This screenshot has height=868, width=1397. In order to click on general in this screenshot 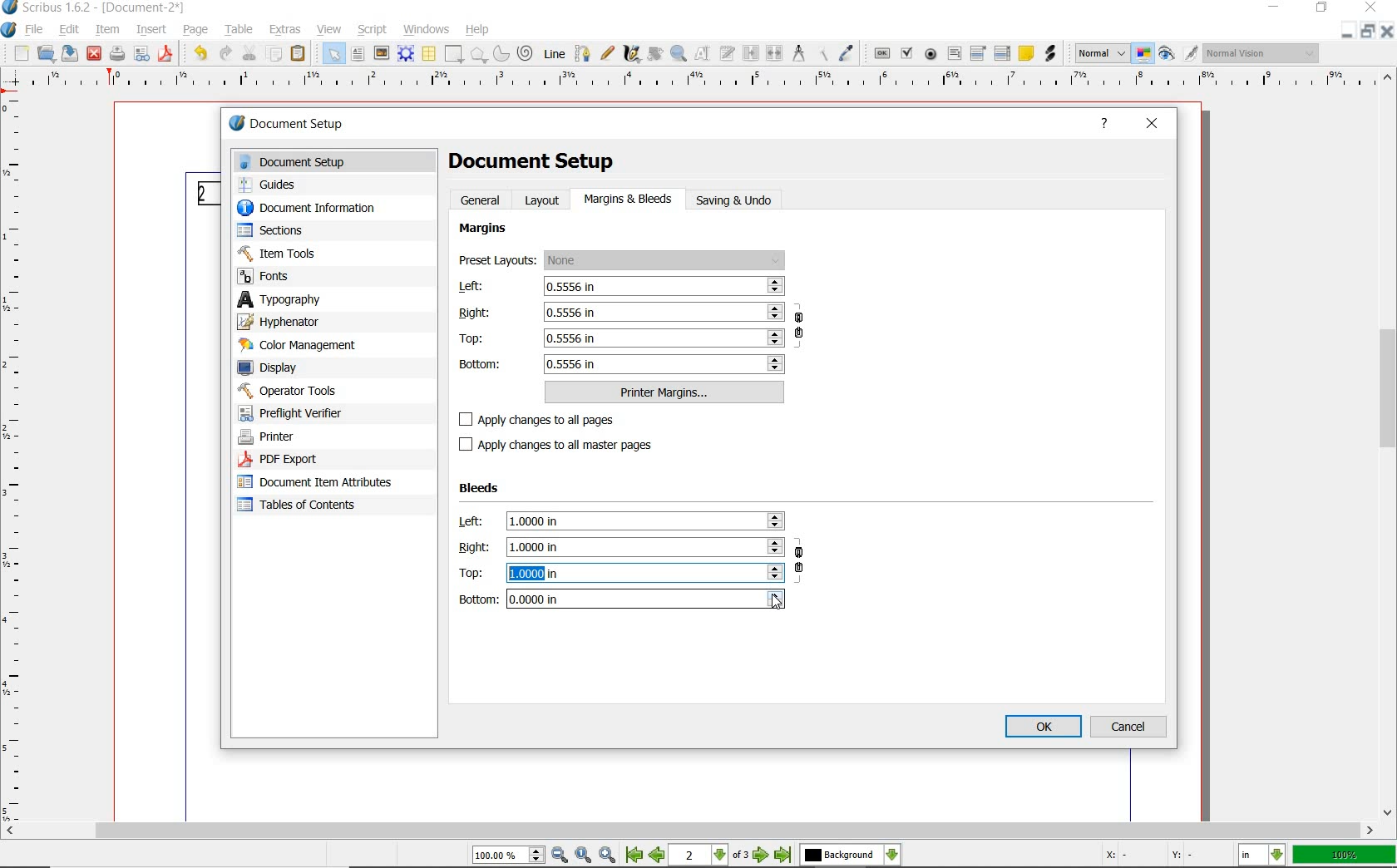, I will do `click(481, 200)`.